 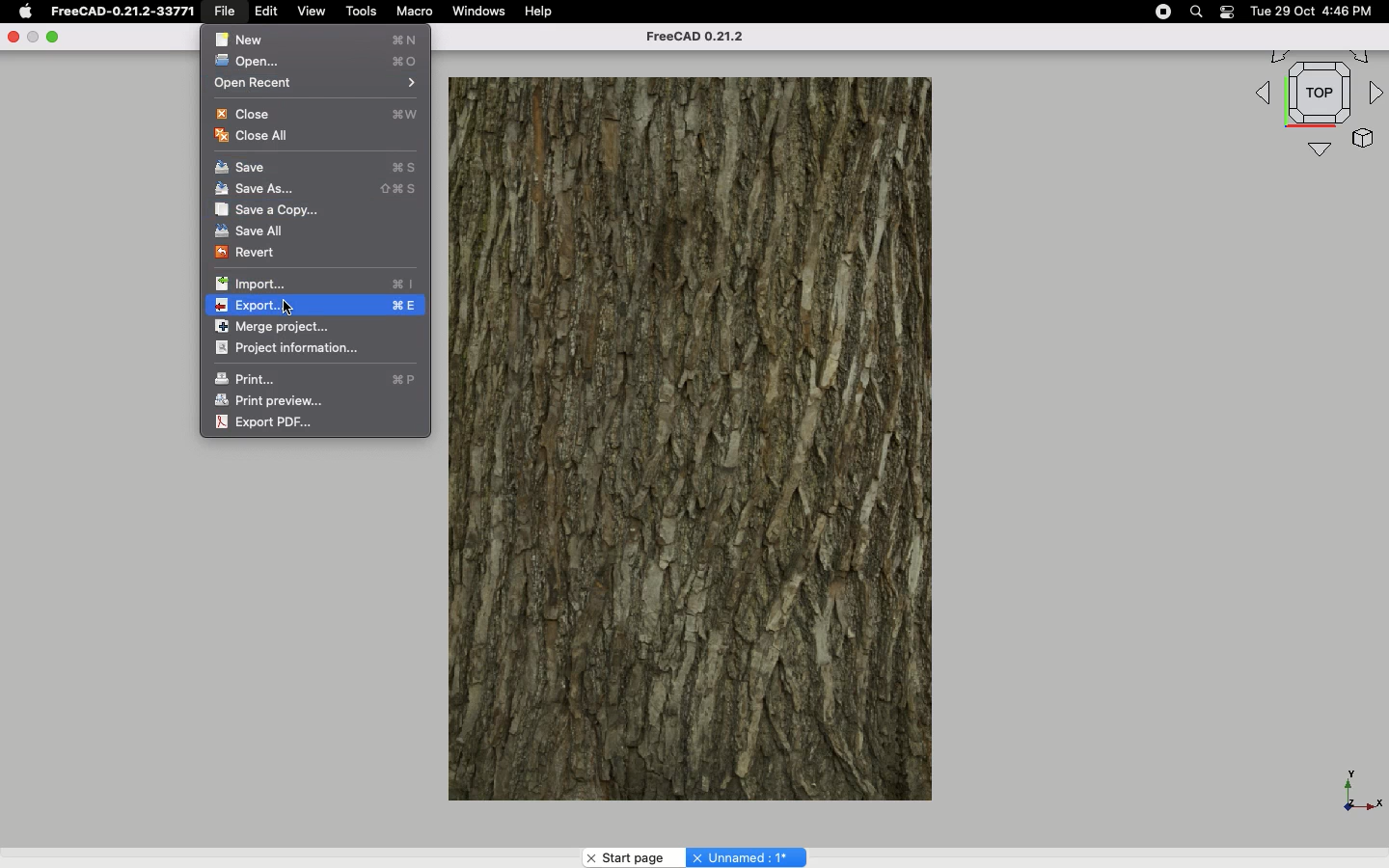 What do you see at coordinates (484, 13) in the screenshot?
I see `Windows` at bounding box center [484, 13].